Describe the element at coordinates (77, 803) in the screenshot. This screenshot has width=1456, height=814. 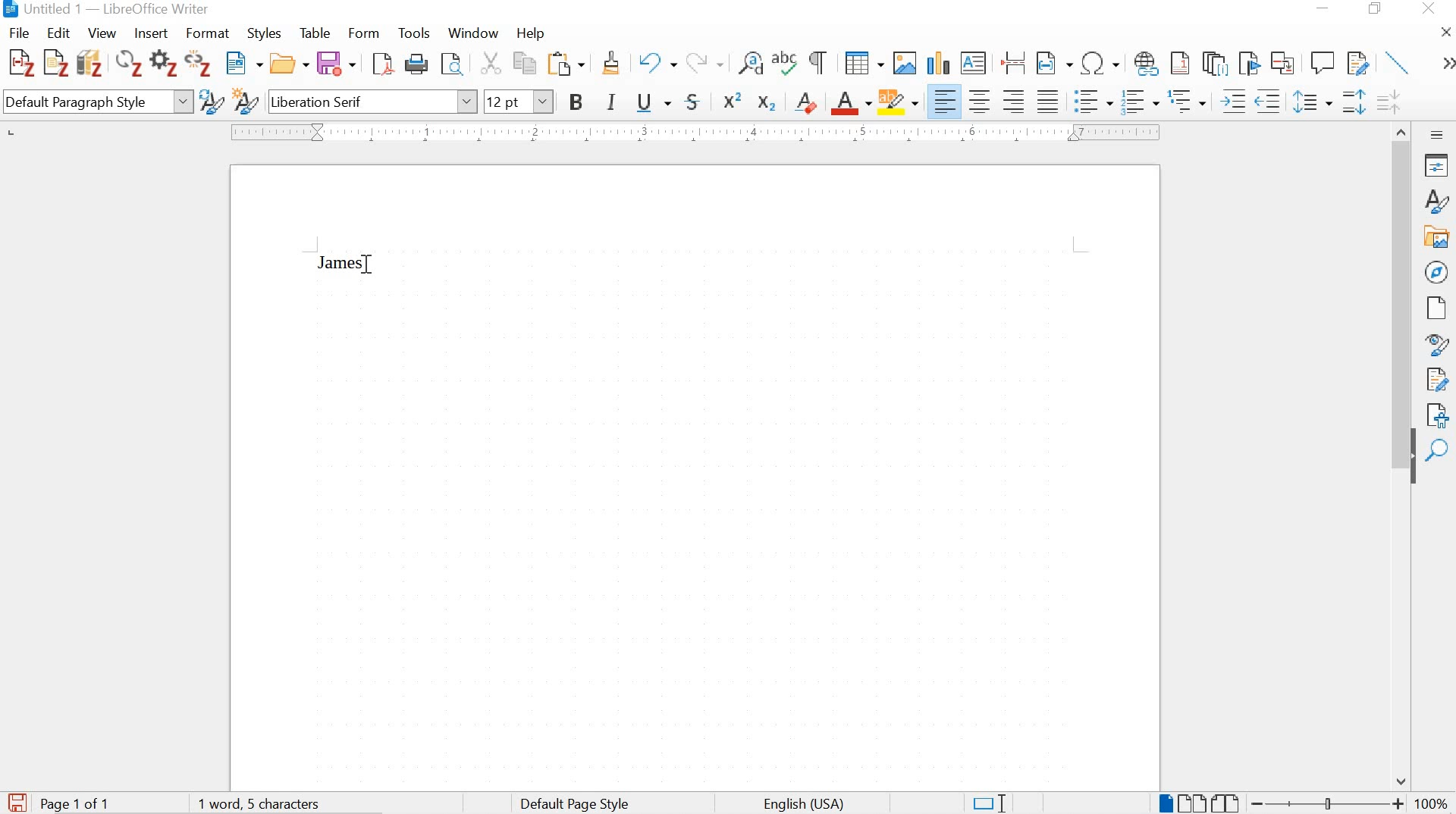
I see `page 1 of 1` at that location.